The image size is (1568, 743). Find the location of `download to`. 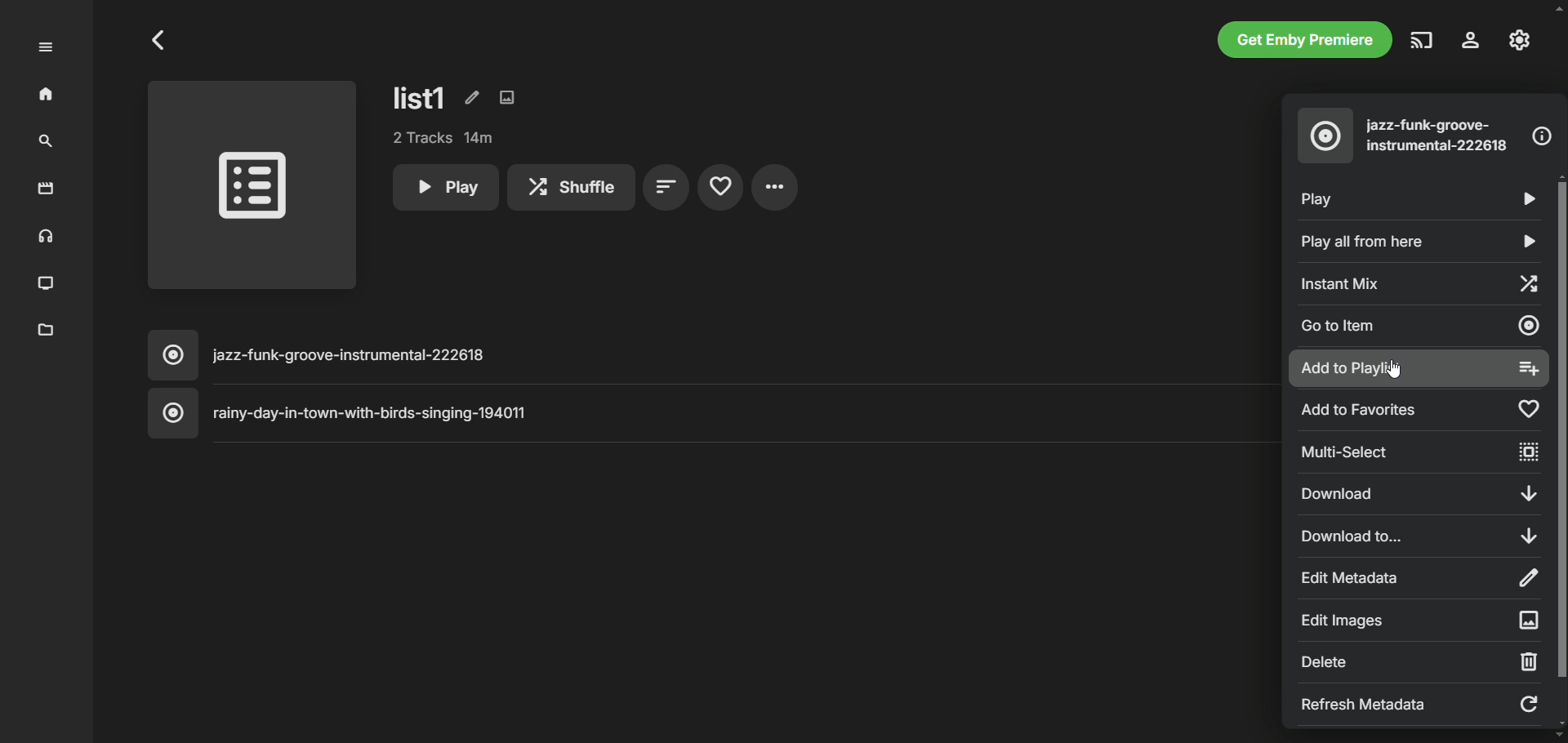

download to is located at coordinates (1415, 534).